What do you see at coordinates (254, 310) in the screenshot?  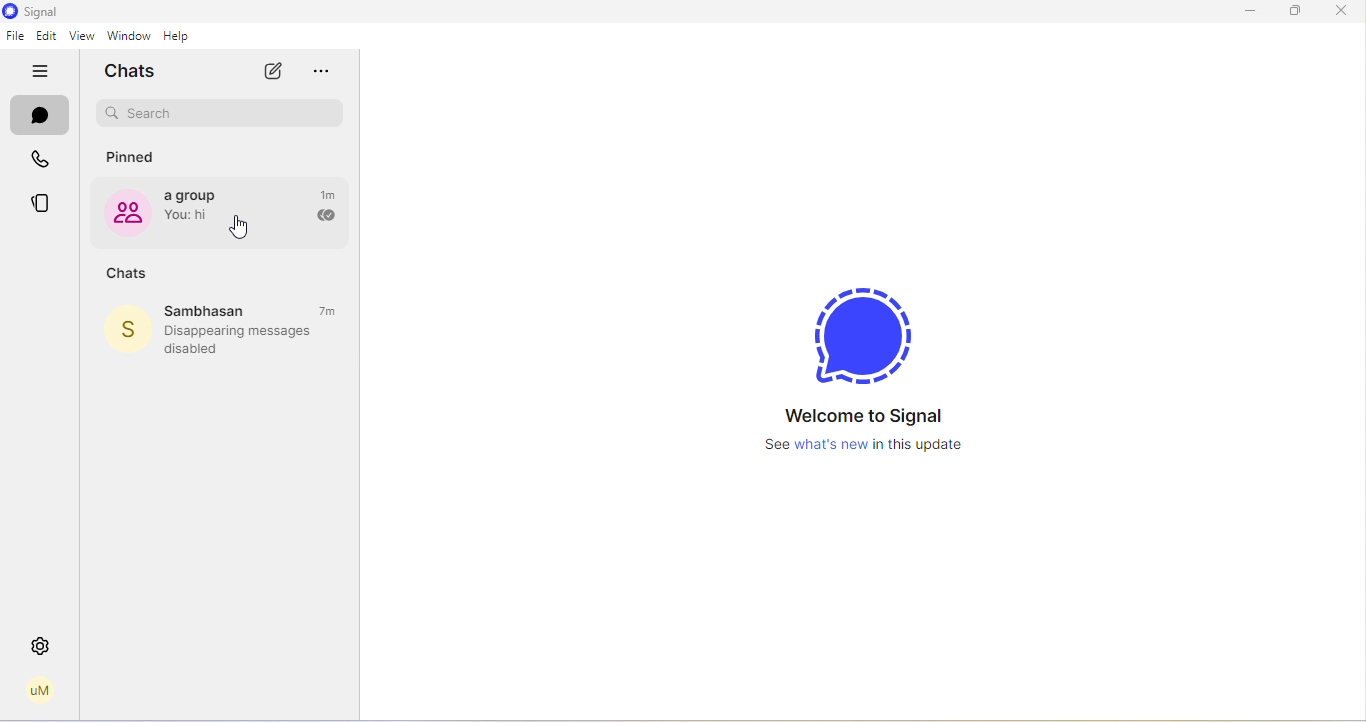 I see `chat with Sambhasan` at bounding box center [254, 310].